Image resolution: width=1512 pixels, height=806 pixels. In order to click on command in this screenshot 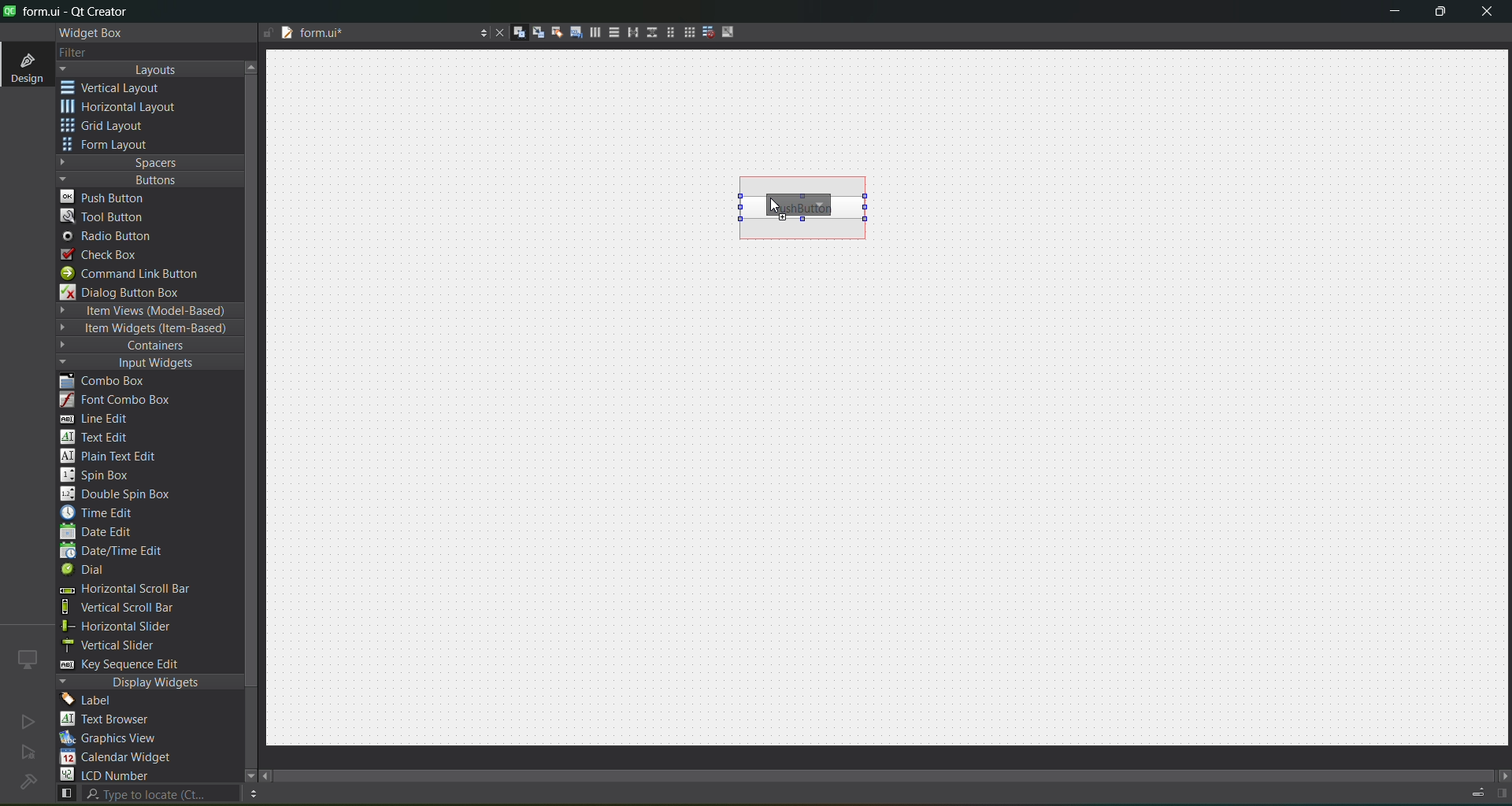, I will do `click(140, 275)`.